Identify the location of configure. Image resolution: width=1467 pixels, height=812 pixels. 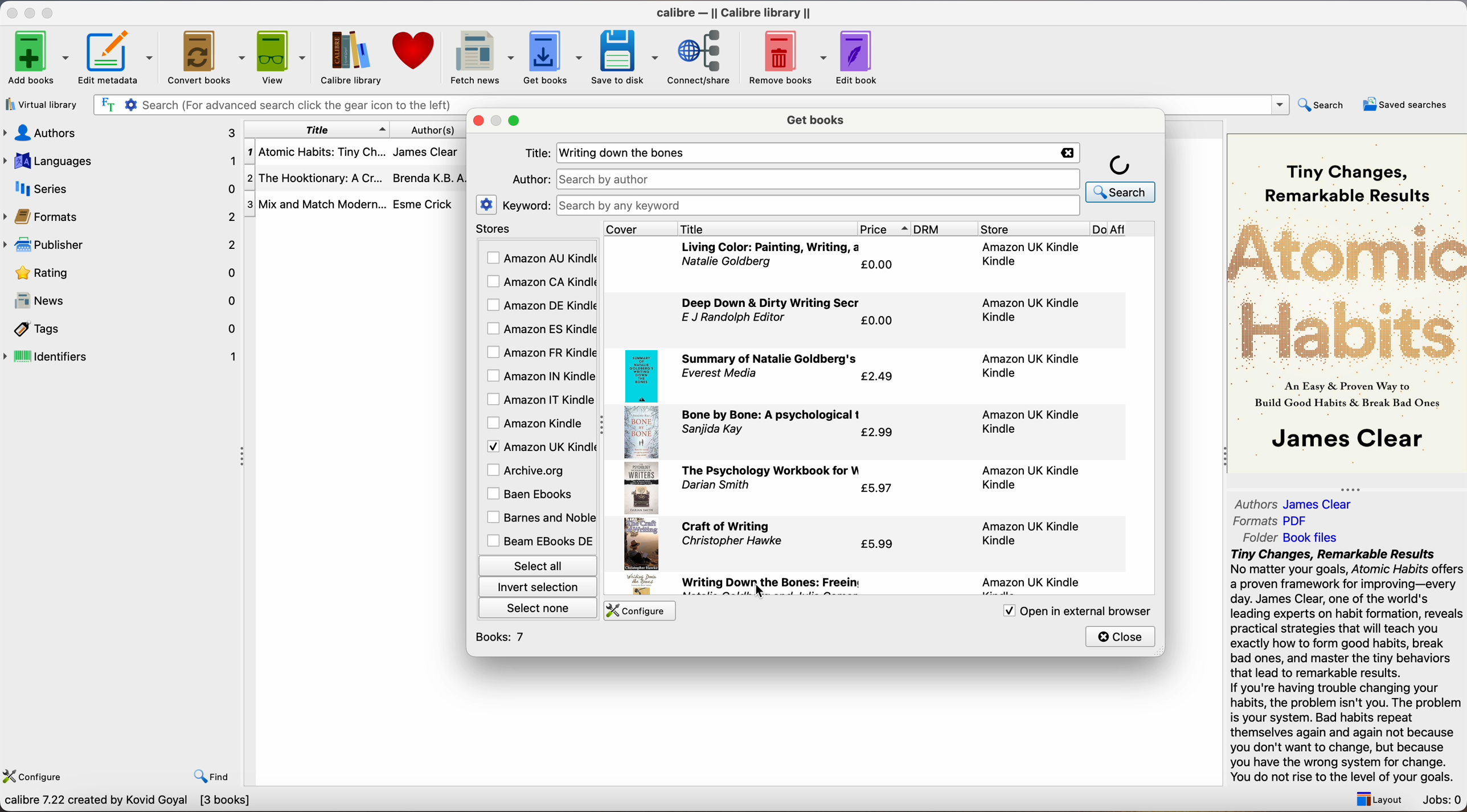
(637, 611).